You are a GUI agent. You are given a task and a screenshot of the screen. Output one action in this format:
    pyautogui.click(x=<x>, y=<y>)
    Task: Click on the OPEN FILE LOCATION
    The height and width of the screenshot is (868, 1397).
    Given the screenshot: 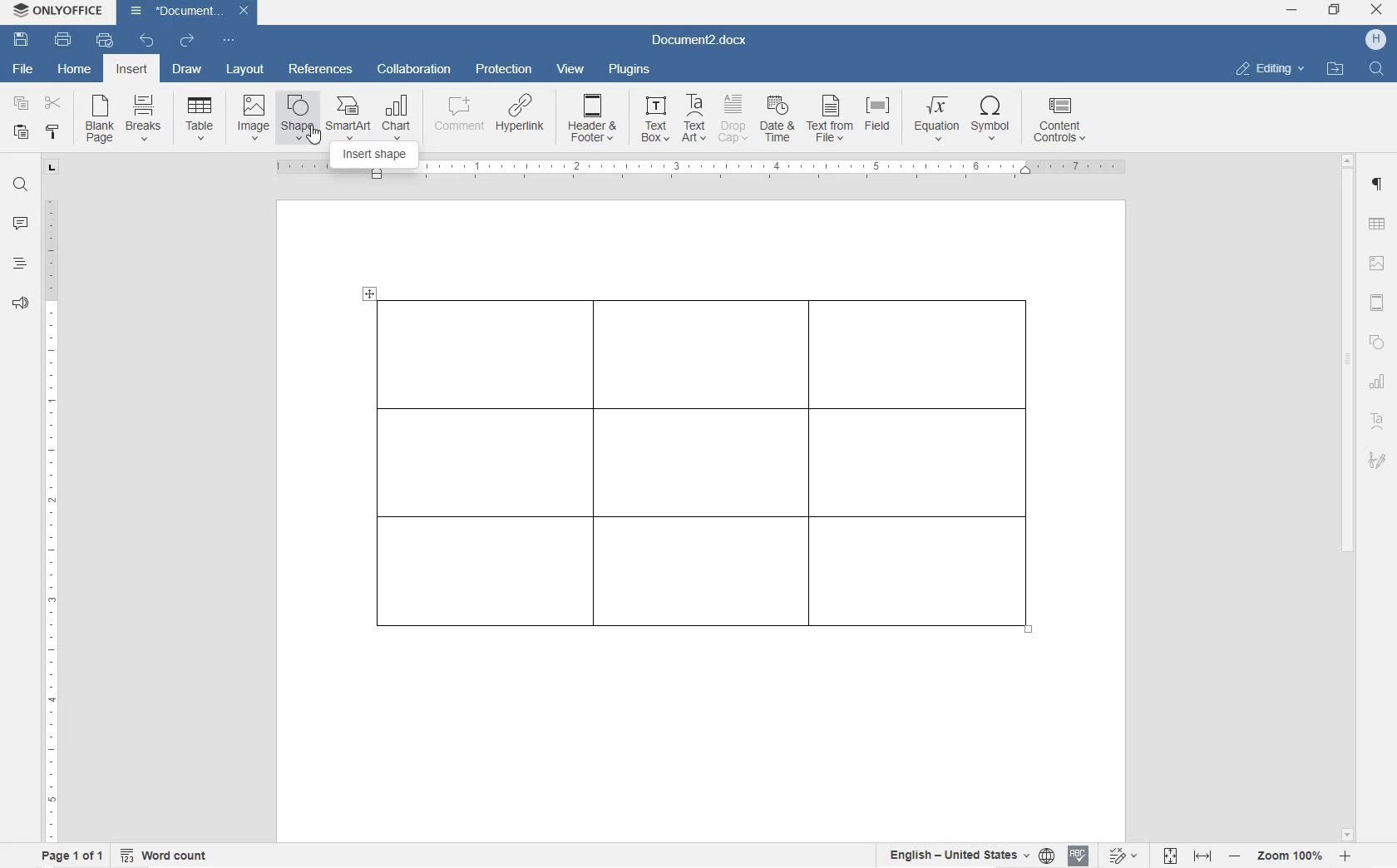 What is the action you would take?
    pyautogui.click(x=1337, y=70)
    